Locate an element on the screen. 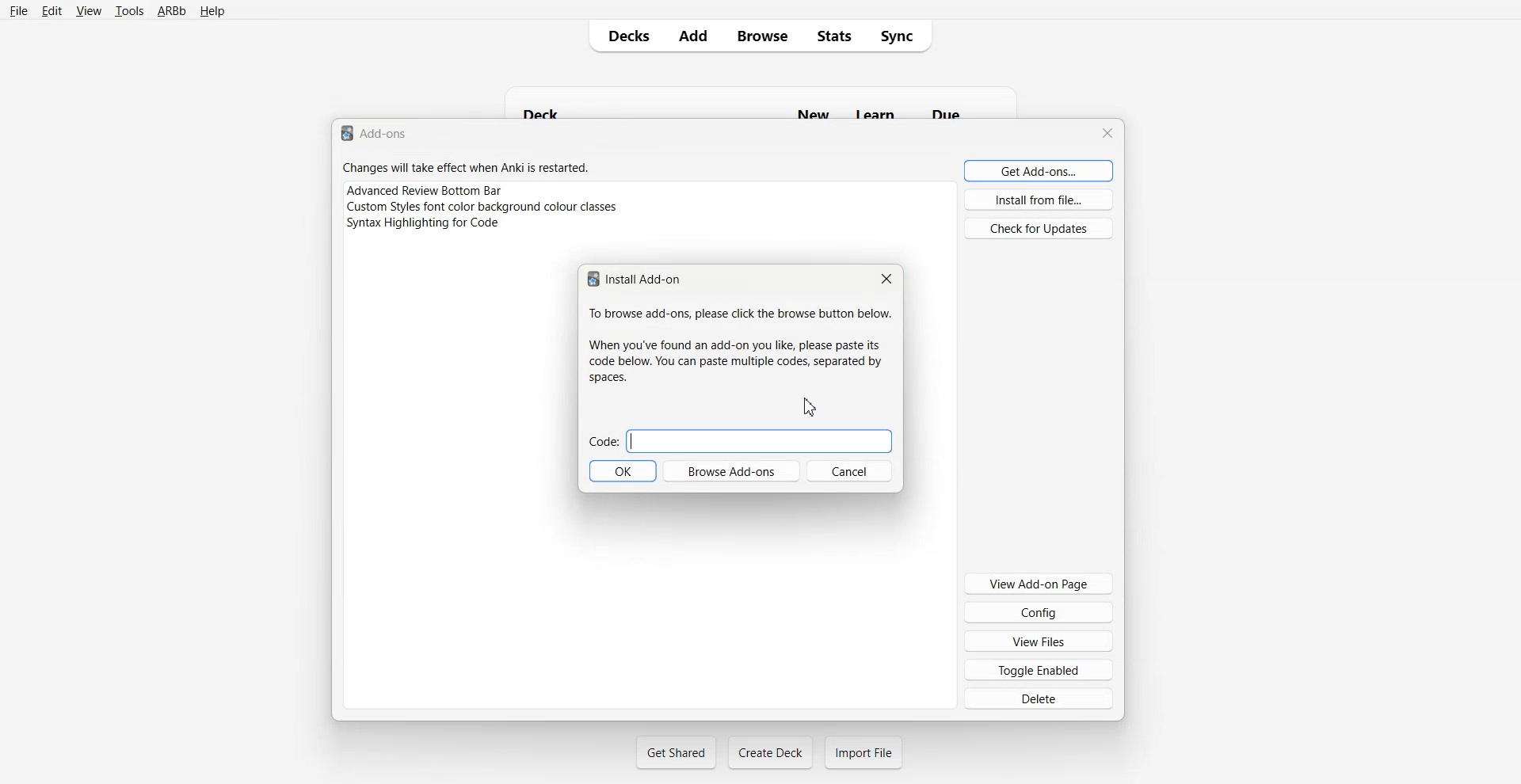 The height and width of the screenshot is (784, 1521). To browse add-ons, please click the browse button below.
When you've found an add-on you like, please paste its
code below. You can paste multiple codes, separated by
spaces. is located at coordinates (743, 344).